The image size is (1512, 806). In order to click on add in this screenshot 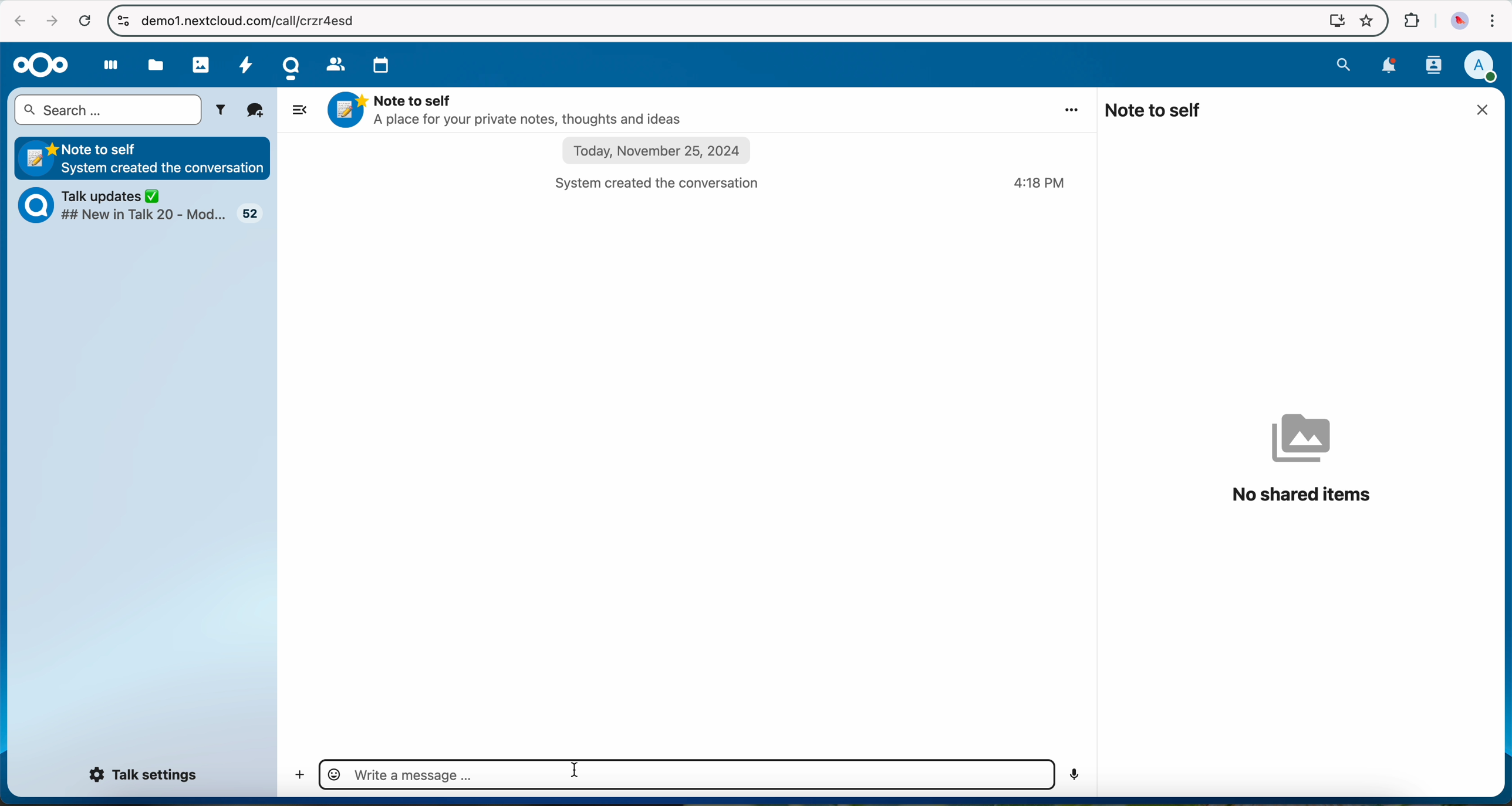, I will do `click(296, 776)`.